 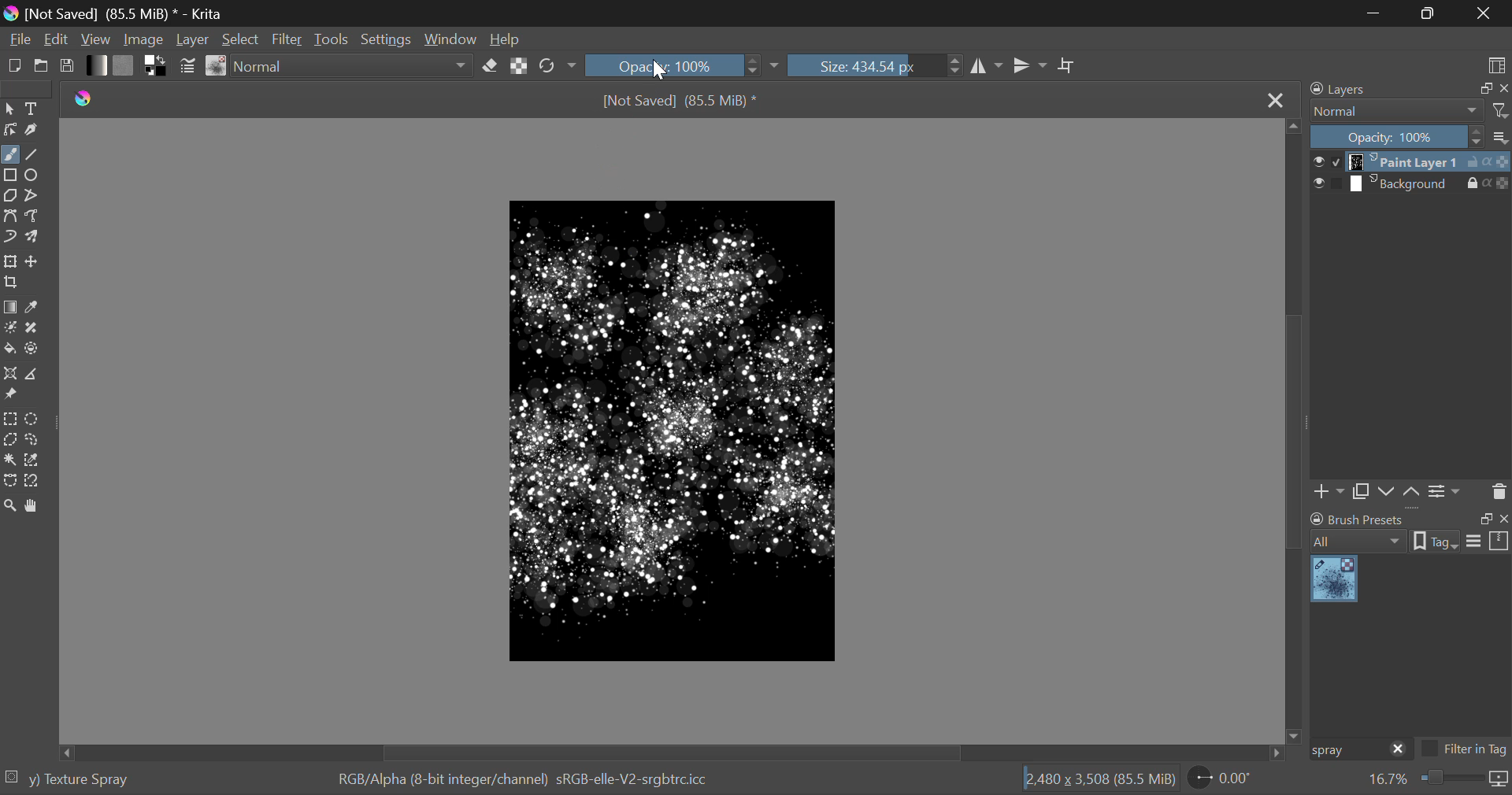 I want to click on actions, so click(x=1488, y=162).